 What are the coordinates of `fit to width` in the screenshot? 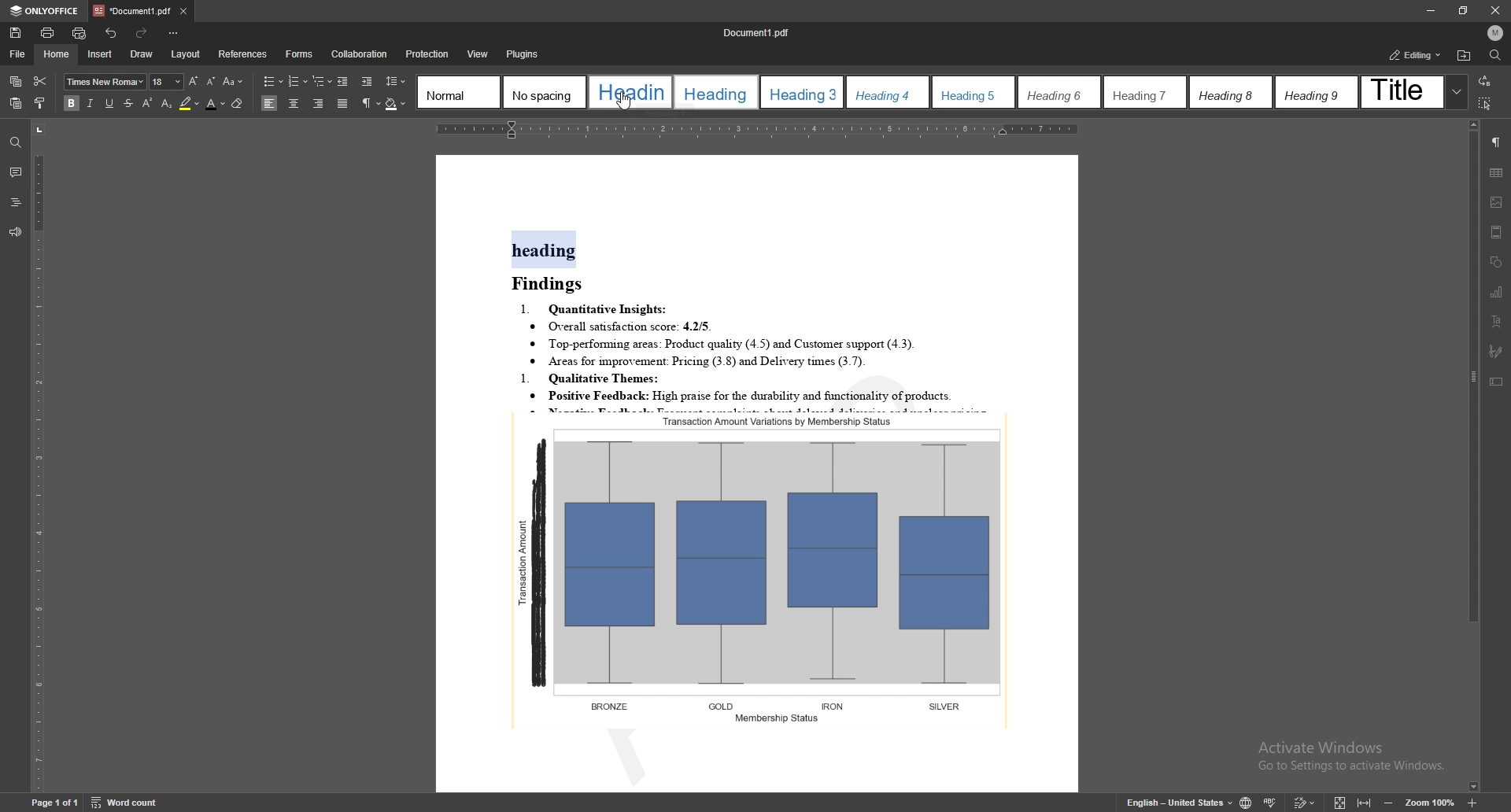 It's located at (1364, 804).